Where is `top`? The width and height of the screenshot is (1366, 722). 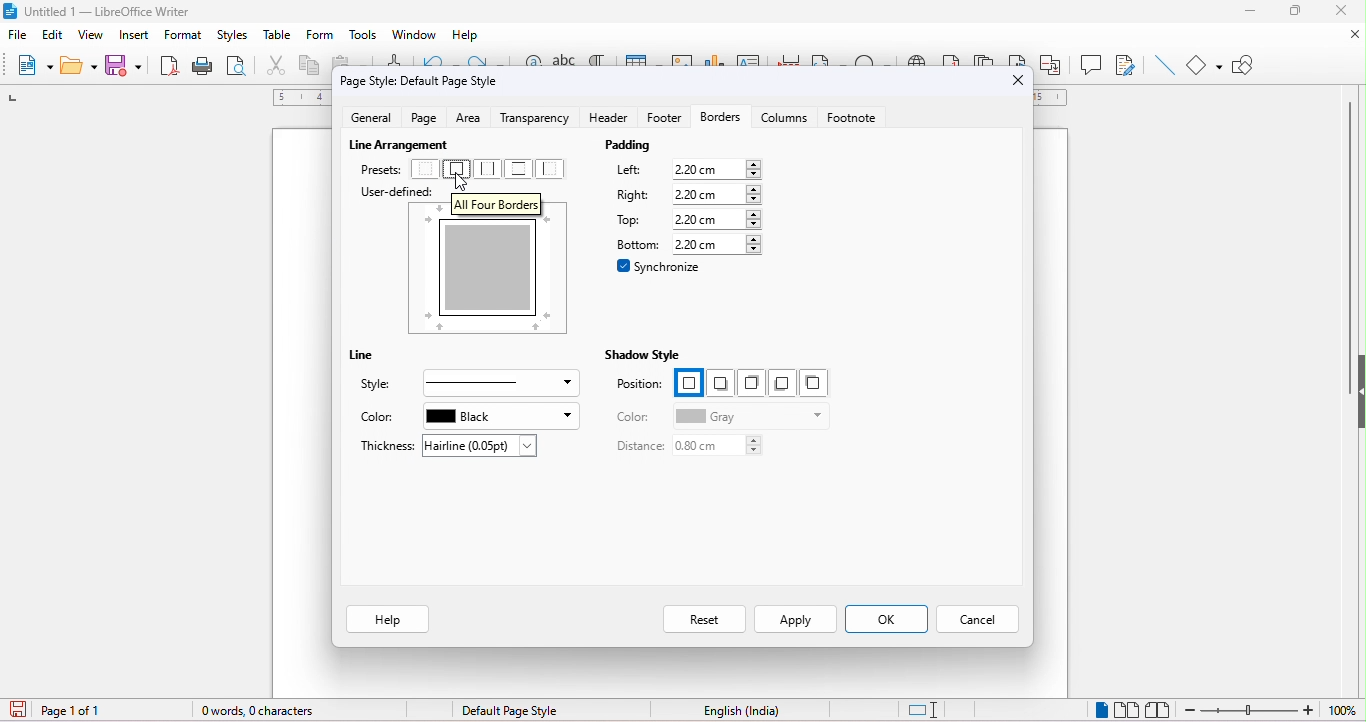 top is located at coordinates (632, 221).